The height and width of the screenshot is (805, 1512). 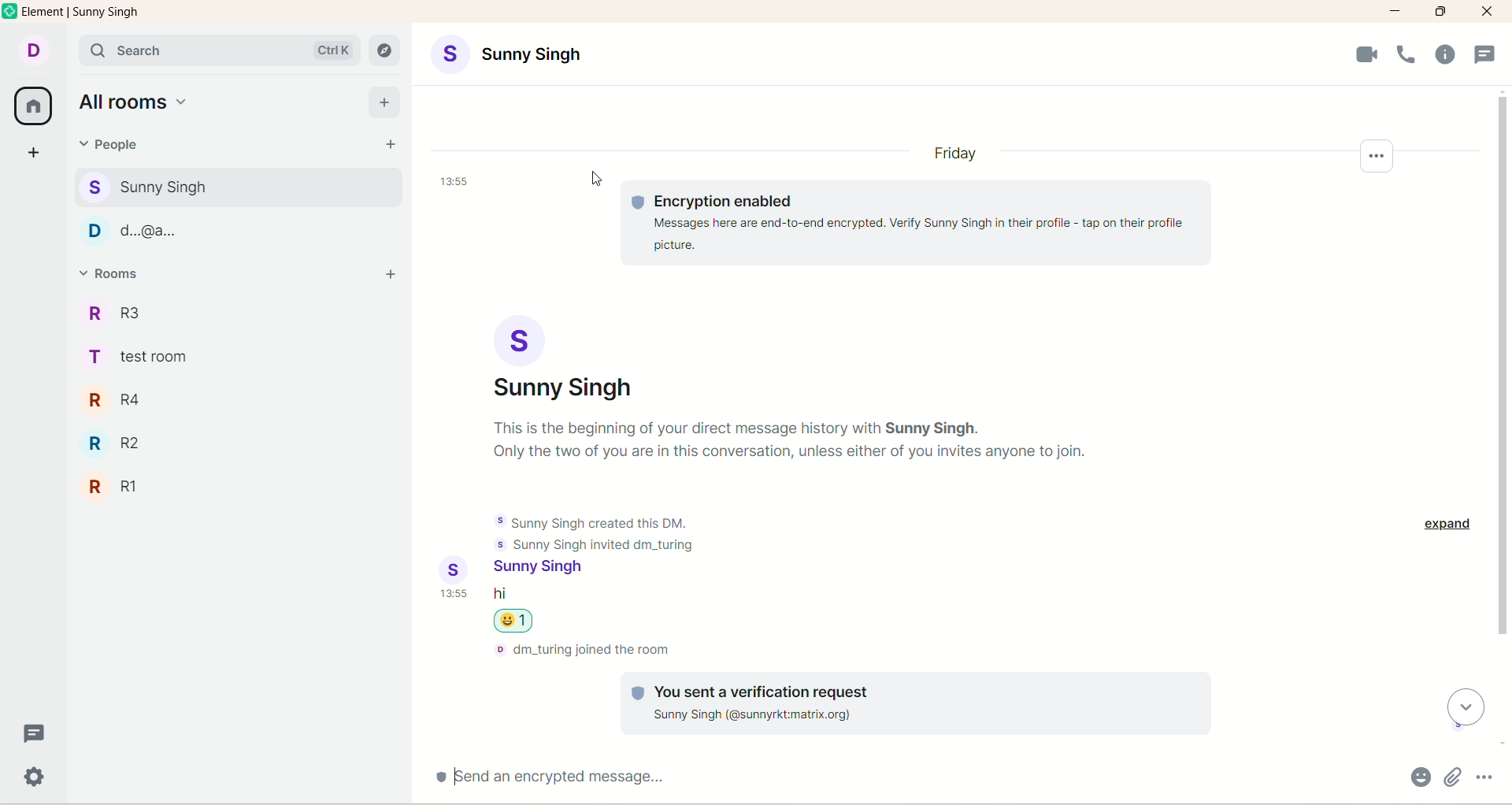 What do you see at coordinates (789, 441) in the screenshot?
I see `text` at bounding box center [789, 441].